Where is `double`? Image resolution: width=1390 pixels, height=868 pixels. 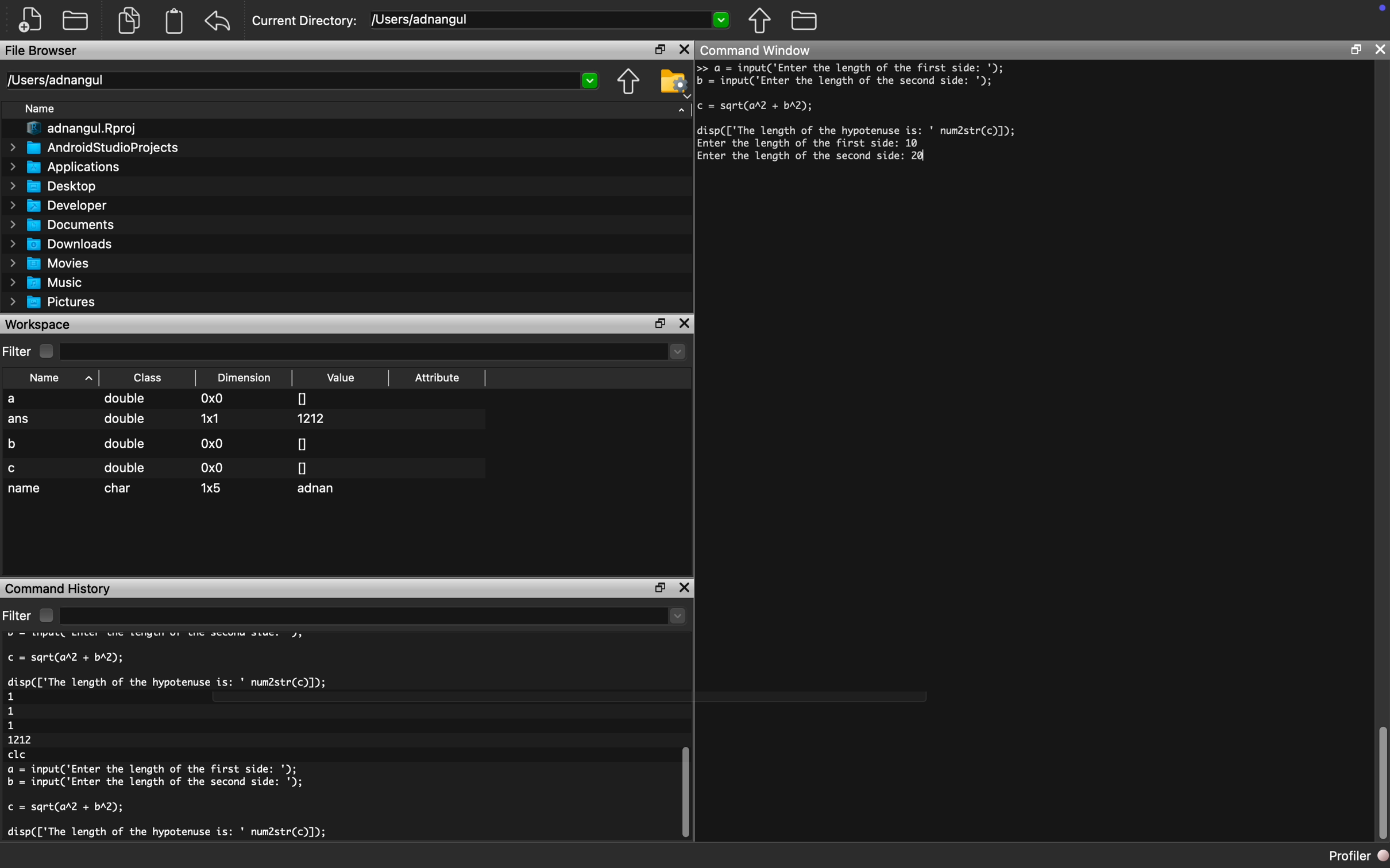 double is located at coordinates (125, 468).